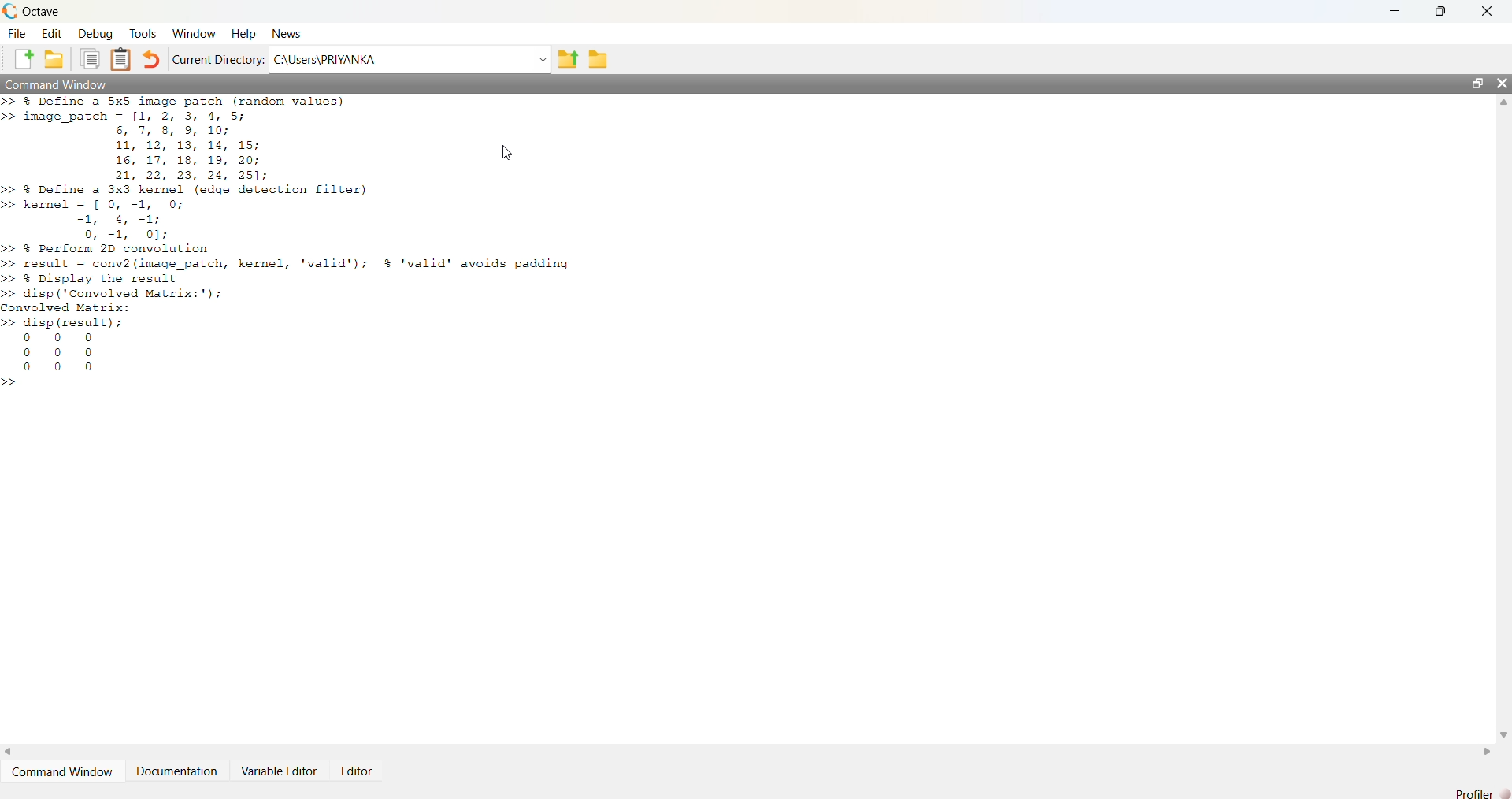 The height and width of the screenshot is (799, 1512). What do you see at coordinates (1503, 728) in the screenshot?
I see `Down` at bounding box center [1503, 728].